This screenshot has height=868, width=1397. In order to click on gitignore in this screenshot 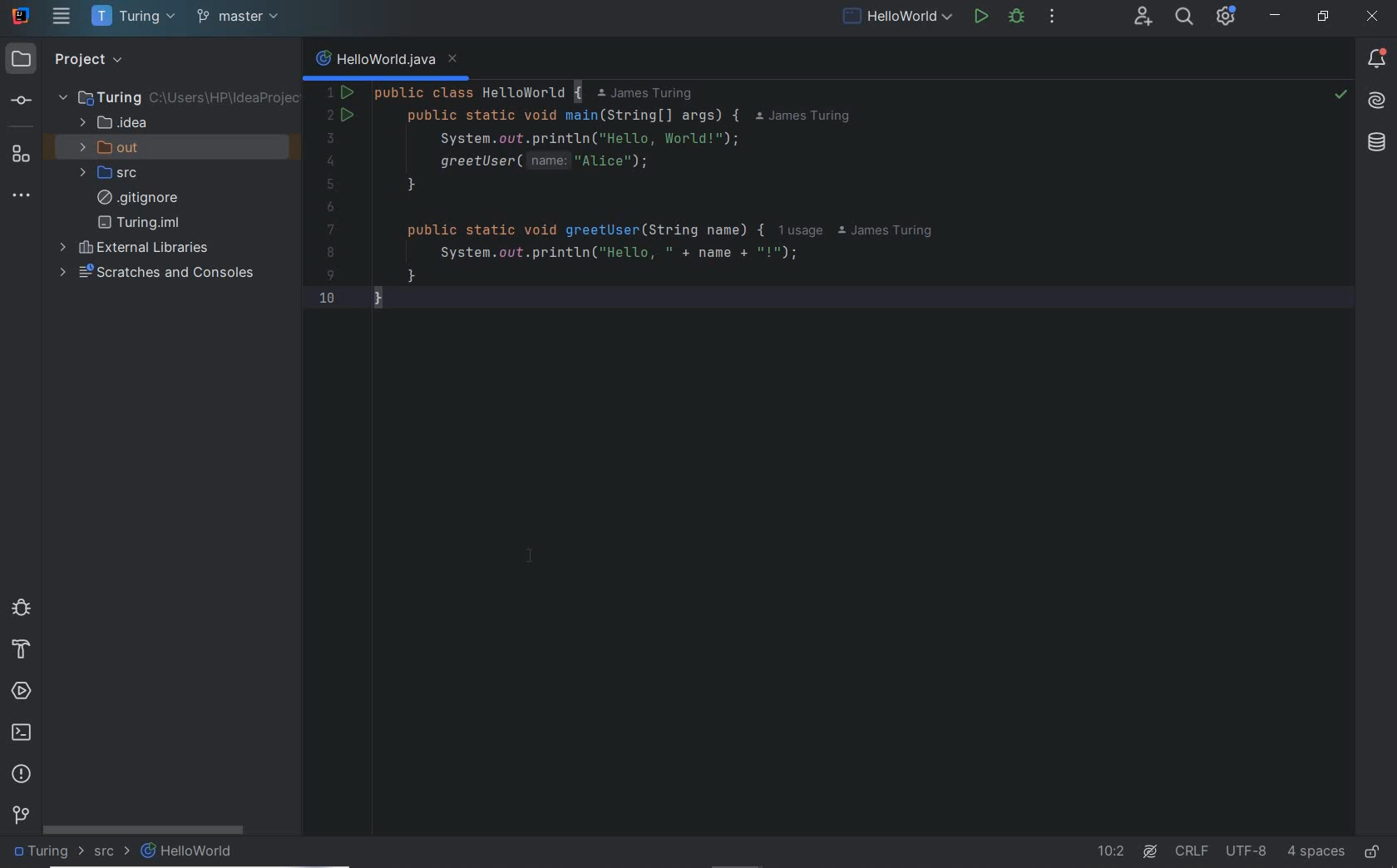, I will do `click(137, 198)`.